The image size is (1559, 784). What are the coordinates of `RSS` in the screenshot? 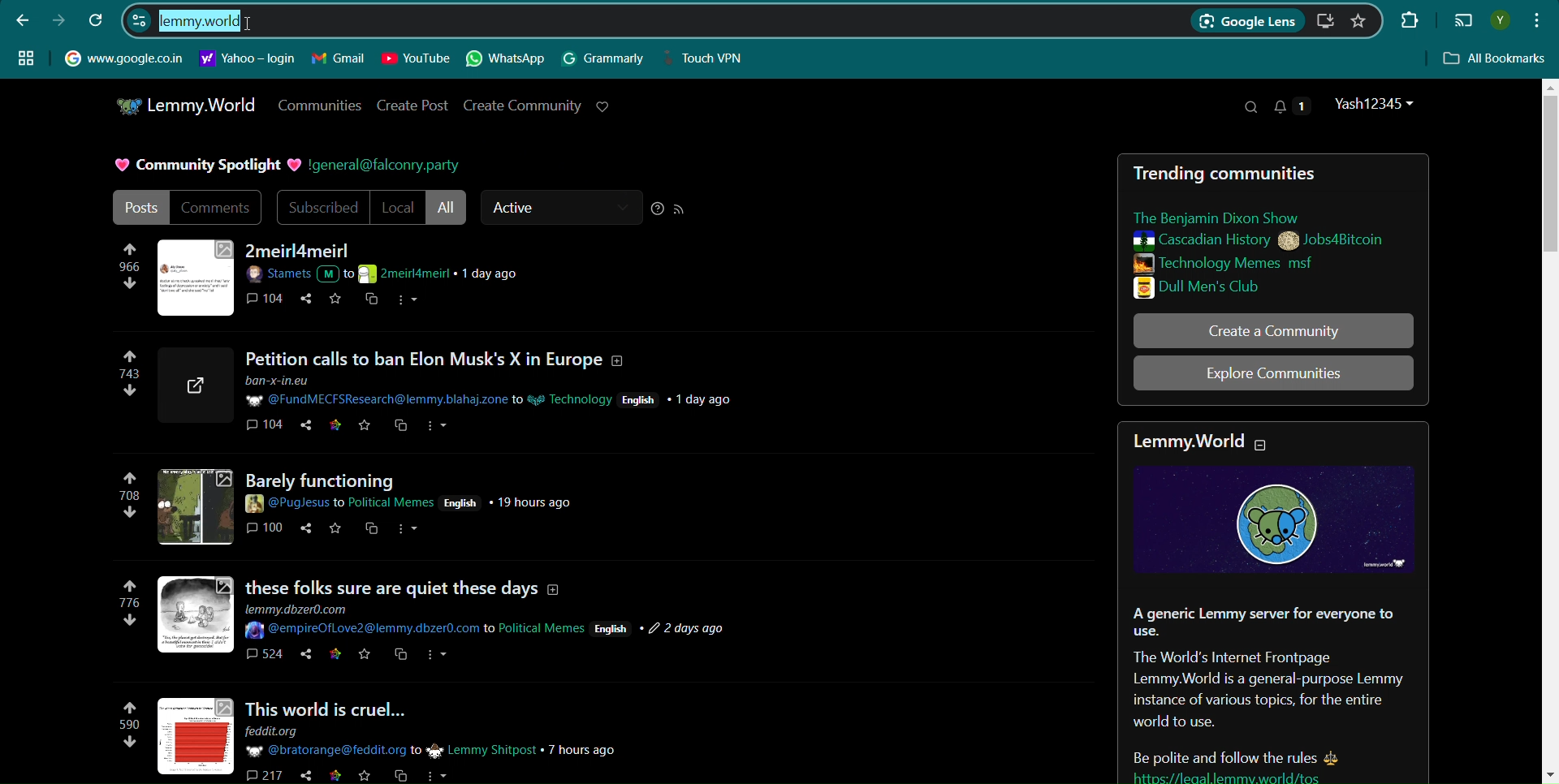 It's located at (680, 209).